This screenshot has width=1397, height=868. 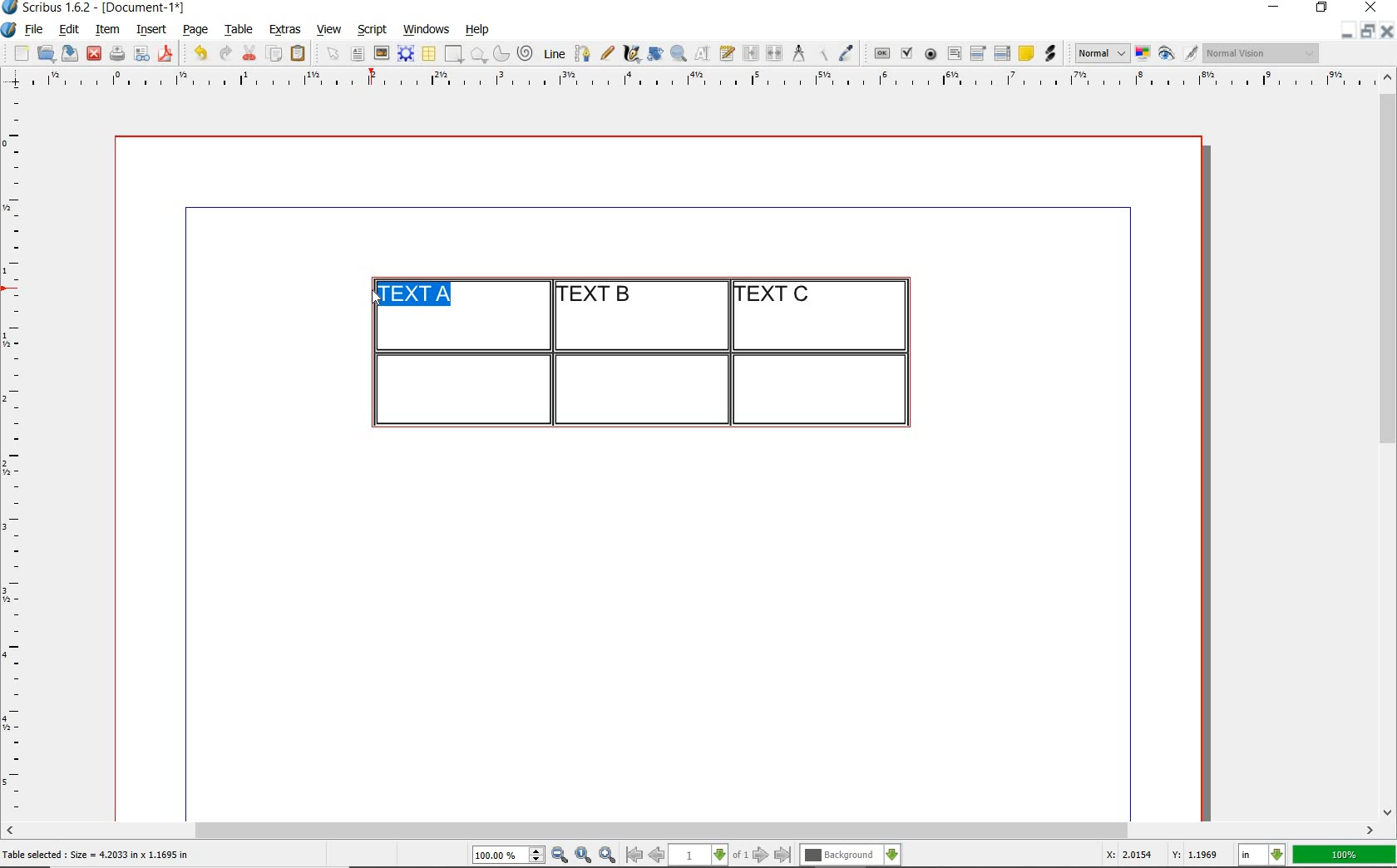 What do you see at coordinates (584, 856) in the screenshot?
I see `zoom to` at bounding box center [584, 856].